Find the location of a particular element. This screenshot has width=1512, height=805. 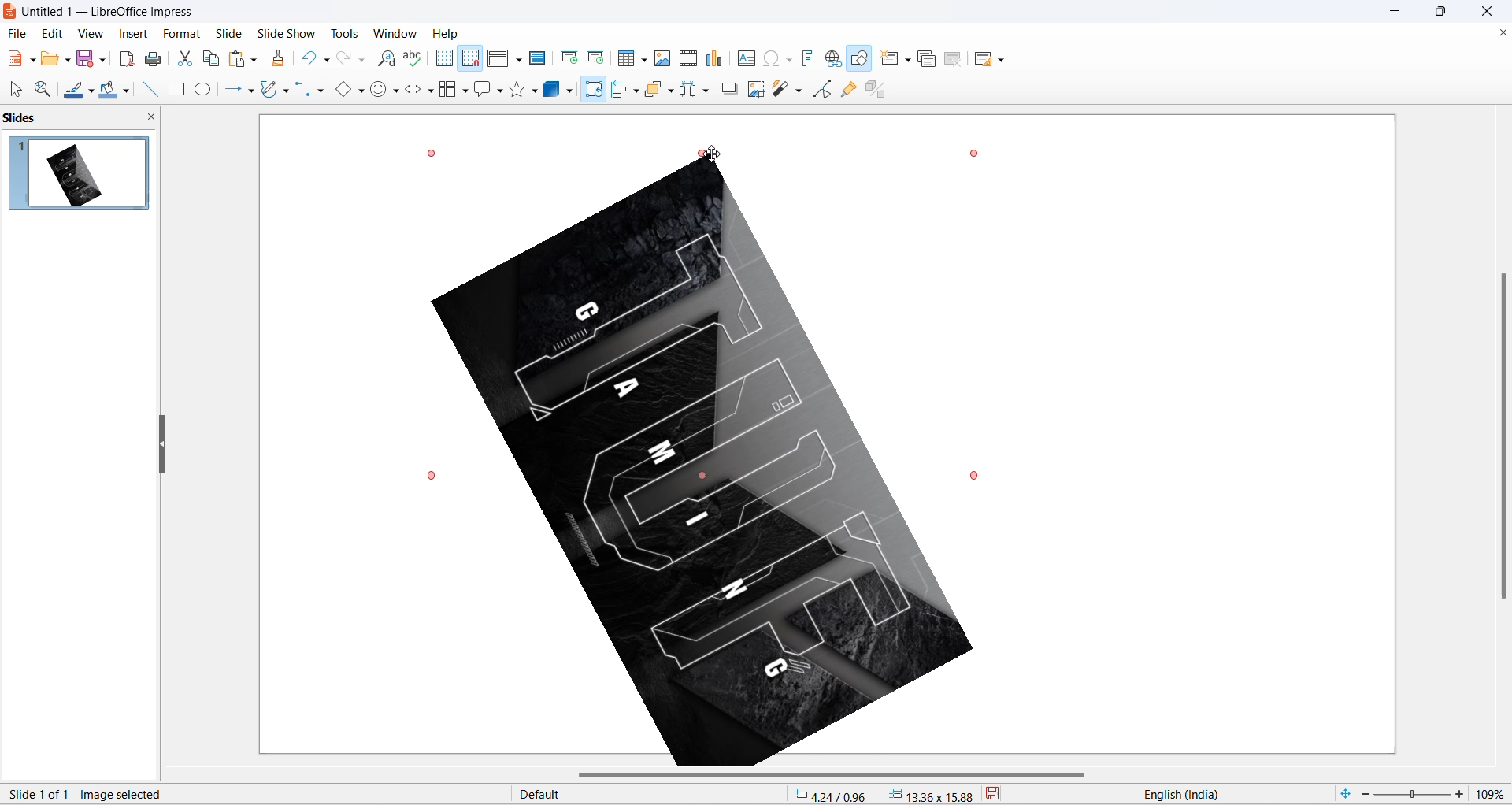

insert table is located at coordinates (627, 59).